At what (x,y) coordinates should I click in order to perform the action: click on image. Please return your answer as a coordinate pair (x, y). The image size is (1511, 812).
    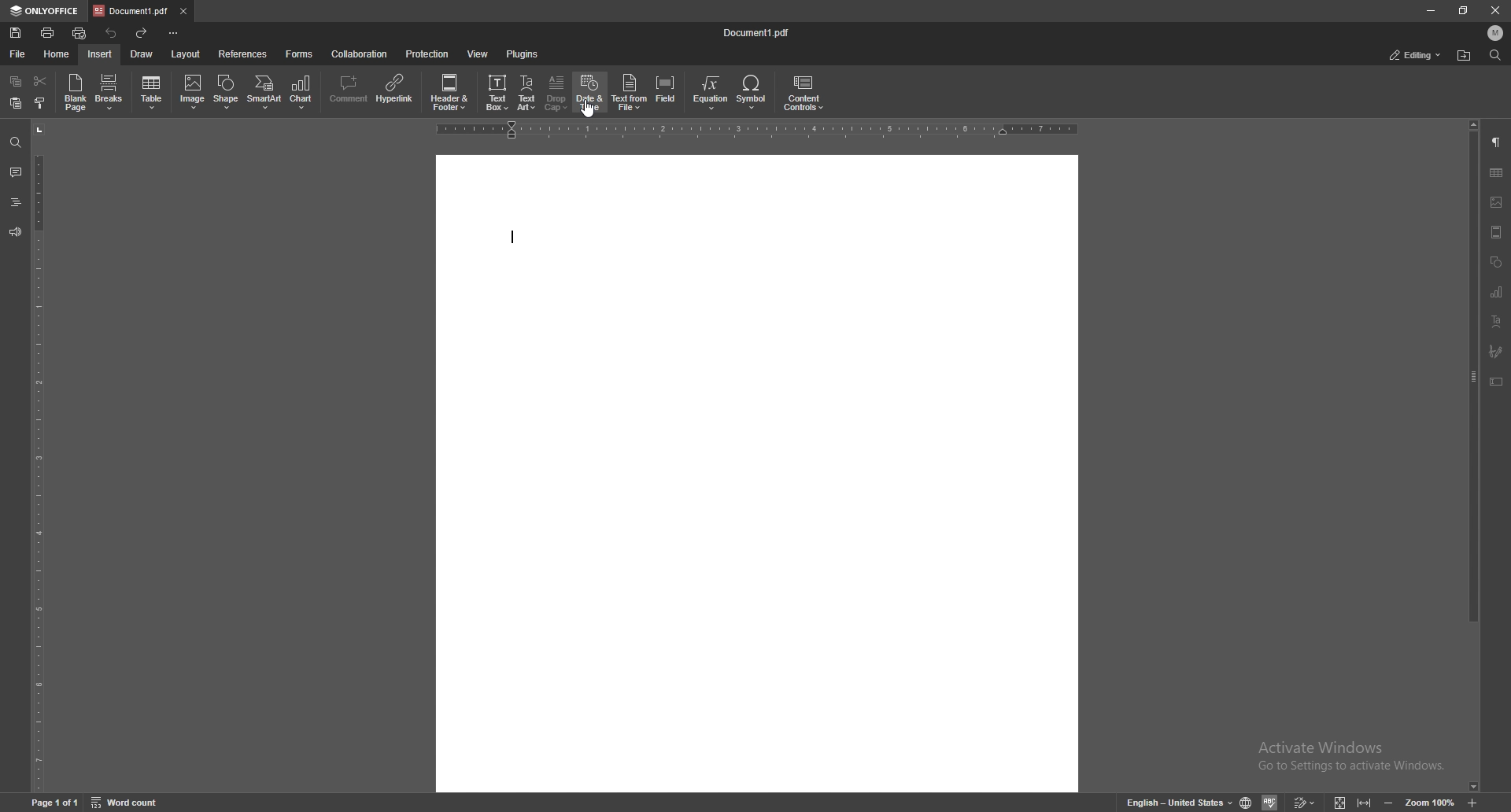
    Looking at the image, I should click on (1495, 201).